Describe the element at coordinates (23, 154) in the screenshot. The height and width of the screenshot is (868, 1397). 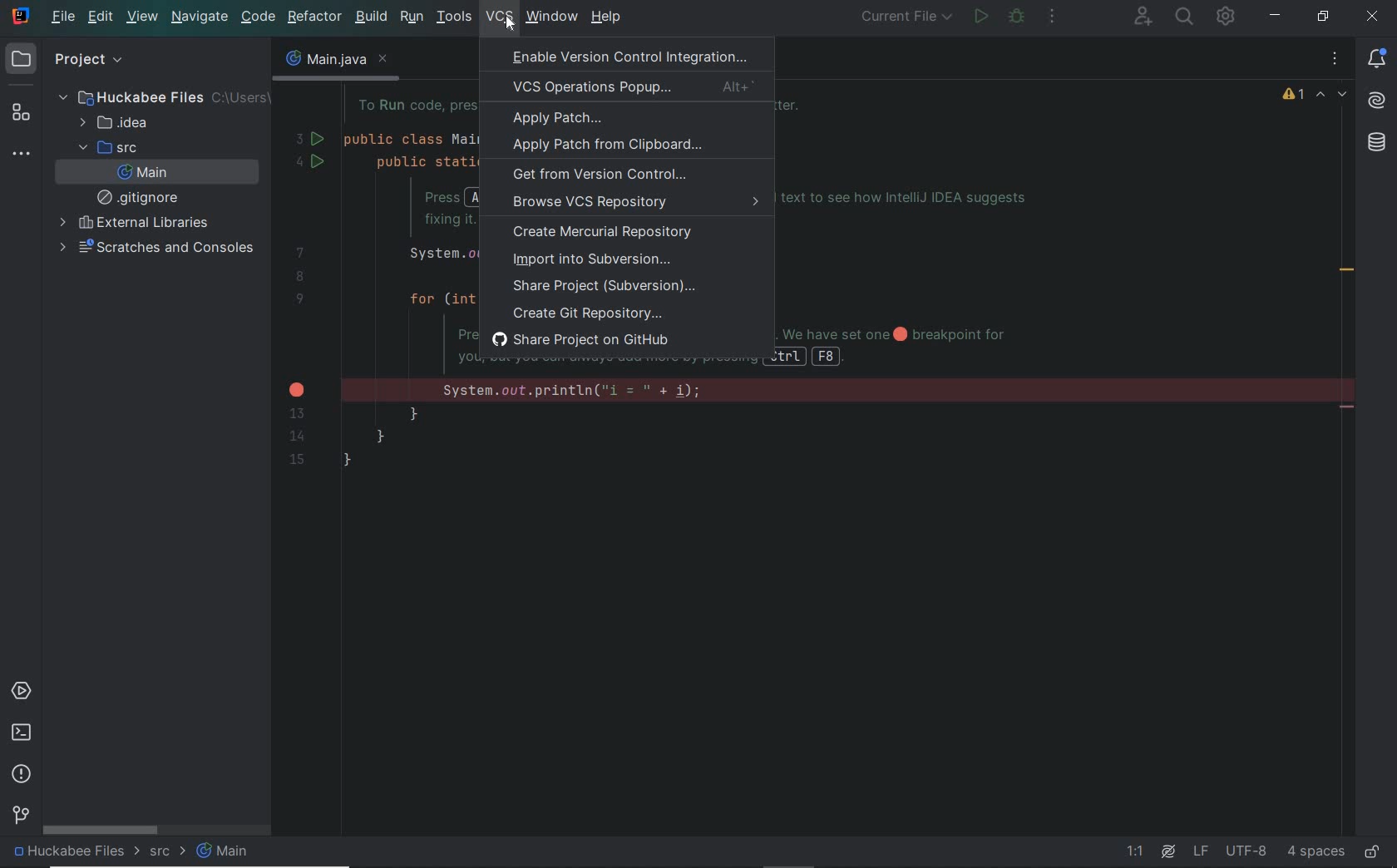
I see `more tool windows` at that location.